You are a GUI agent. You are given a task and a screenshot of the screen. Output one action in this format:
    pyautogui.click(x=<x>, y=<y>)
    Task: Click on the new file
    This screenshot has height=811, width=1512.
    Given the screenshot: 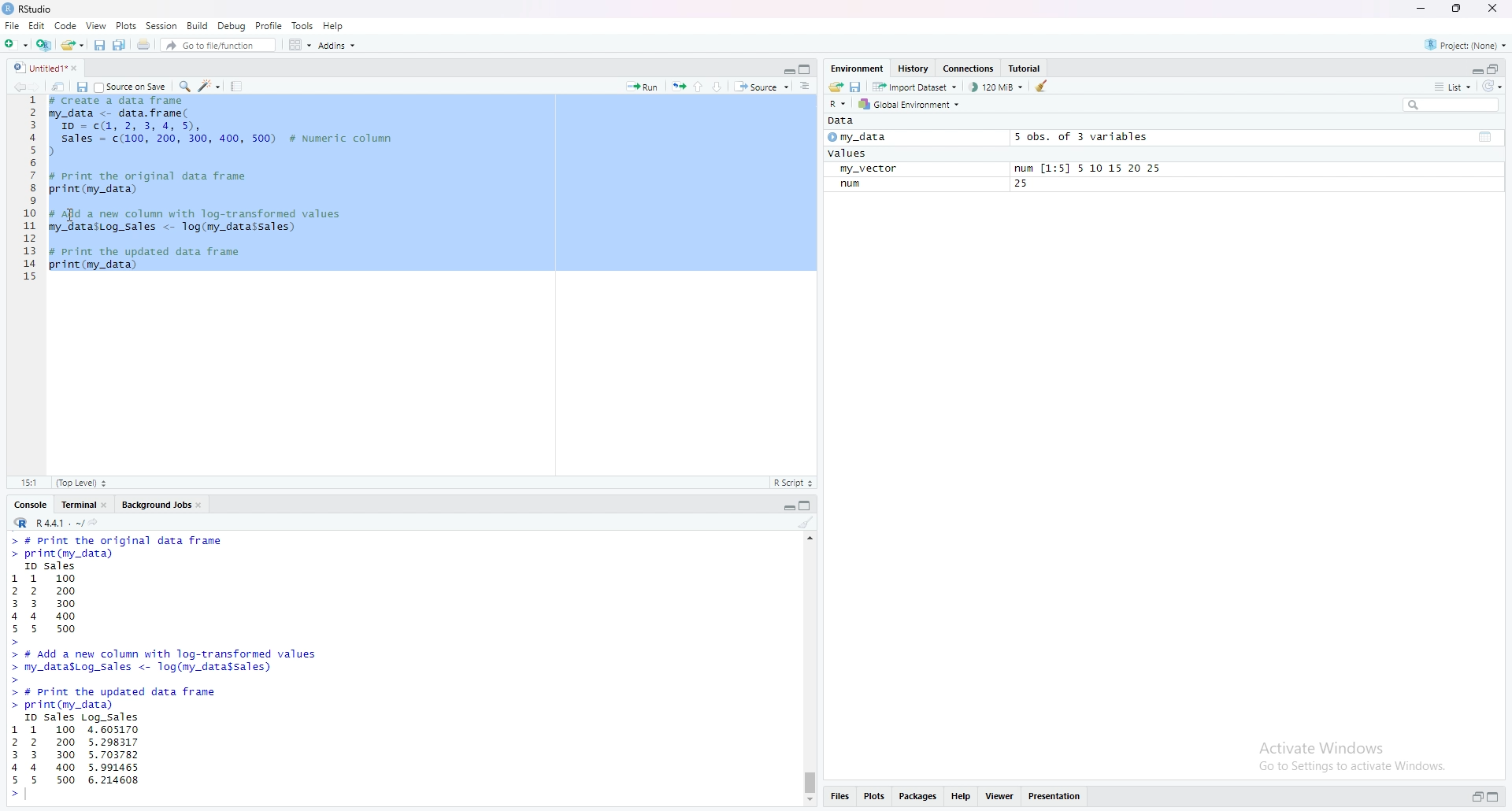 What is the action you would take?
    pyautogui.click(x=15, y=43)
    